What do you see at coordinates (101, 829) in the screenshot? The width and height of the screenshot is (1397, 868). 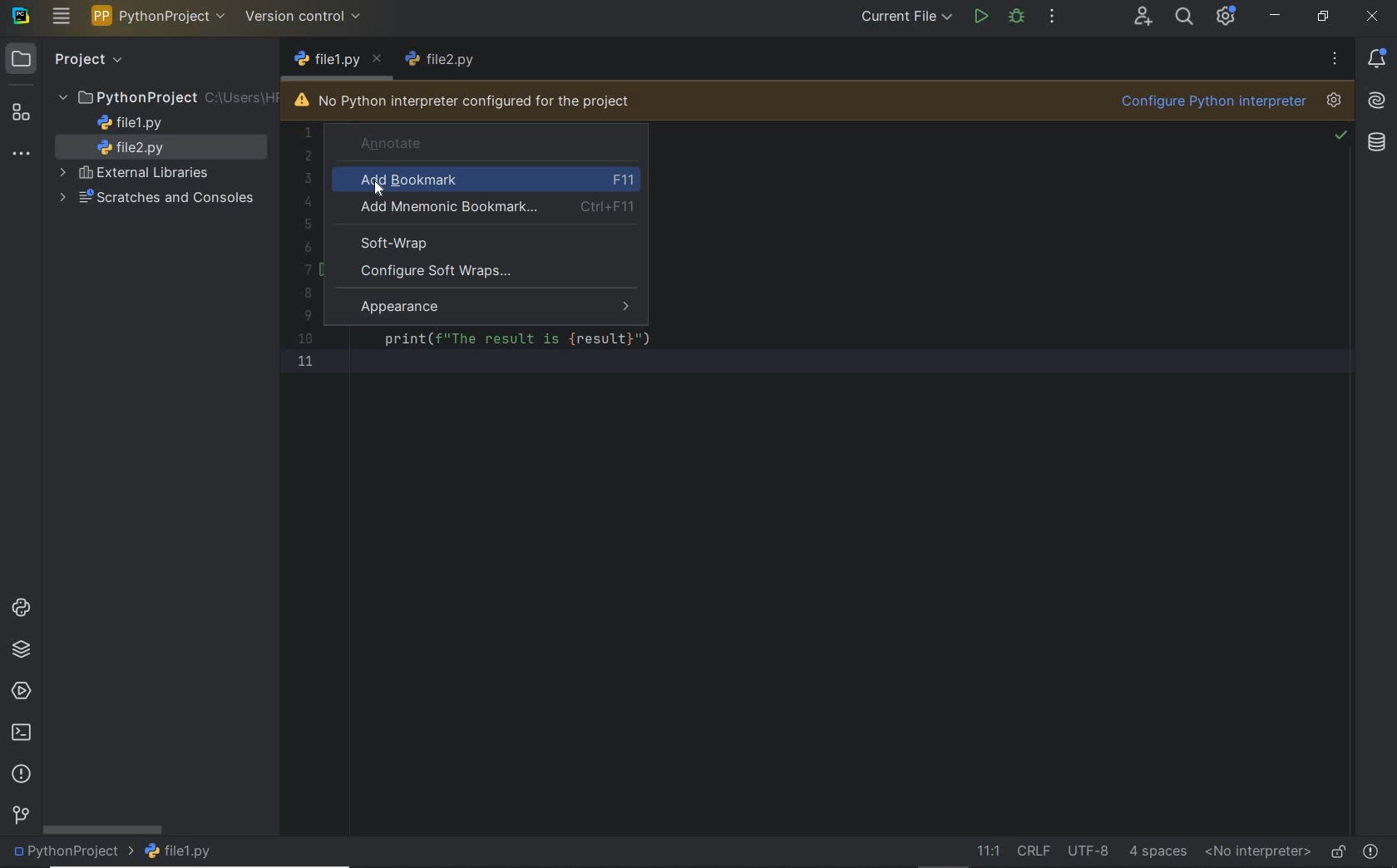 I see `scrollbar` at bounding box center [101, 829].